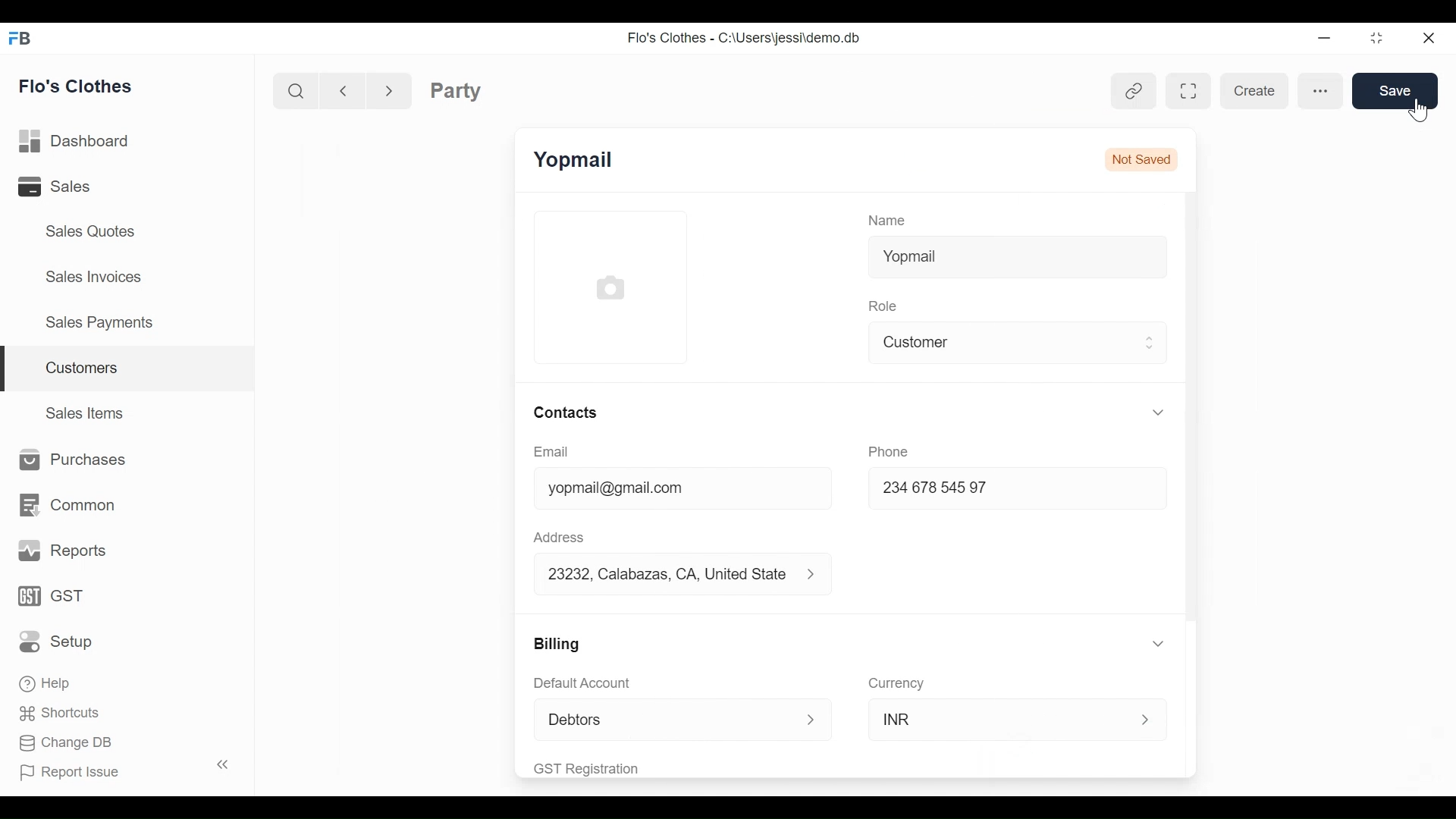  What do you see at coordinates (899, 682) in the screenshot?
I see `Currency` at bounding box center [899, 682].